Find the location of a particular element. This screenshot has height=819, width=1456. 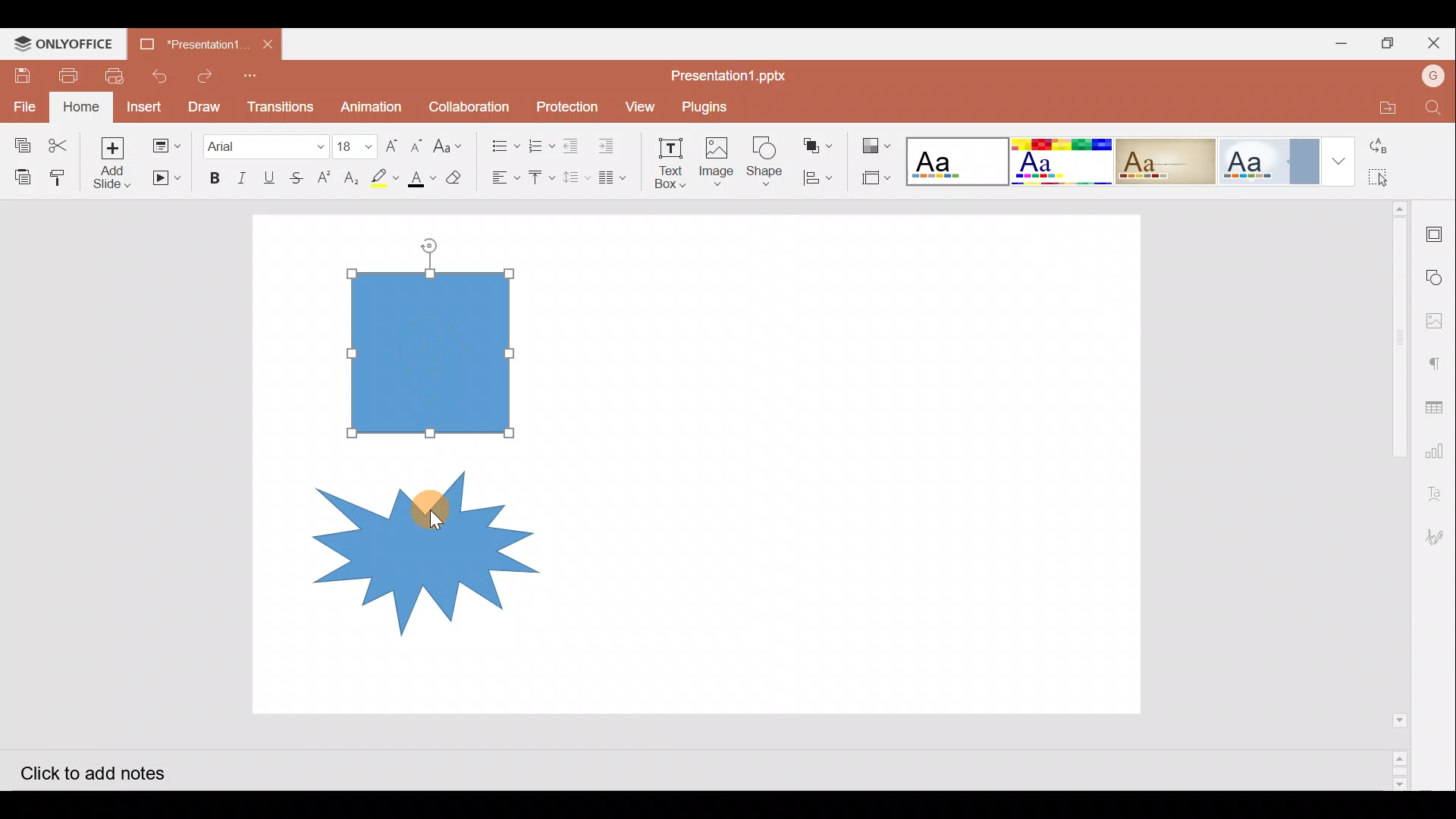

Arrange shape is located at coordinates (819, 141).